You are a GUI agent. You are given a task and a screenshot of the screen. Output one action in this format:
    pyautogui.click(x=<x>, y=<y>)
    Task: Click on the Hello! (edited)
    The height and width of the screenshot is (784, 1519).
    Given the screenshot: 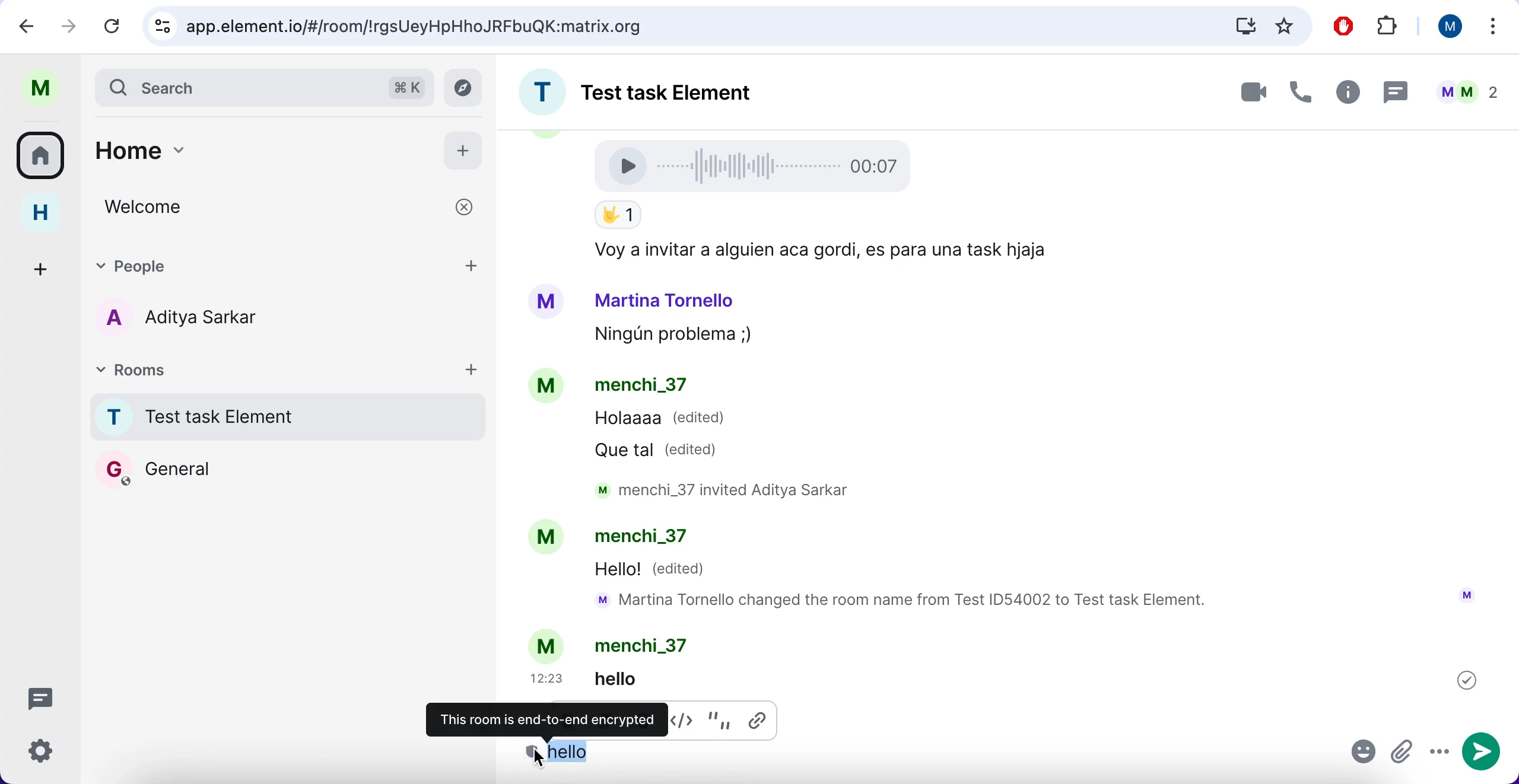 What is the action you would take?
    pyautogui.click(x=652, y=571)
    